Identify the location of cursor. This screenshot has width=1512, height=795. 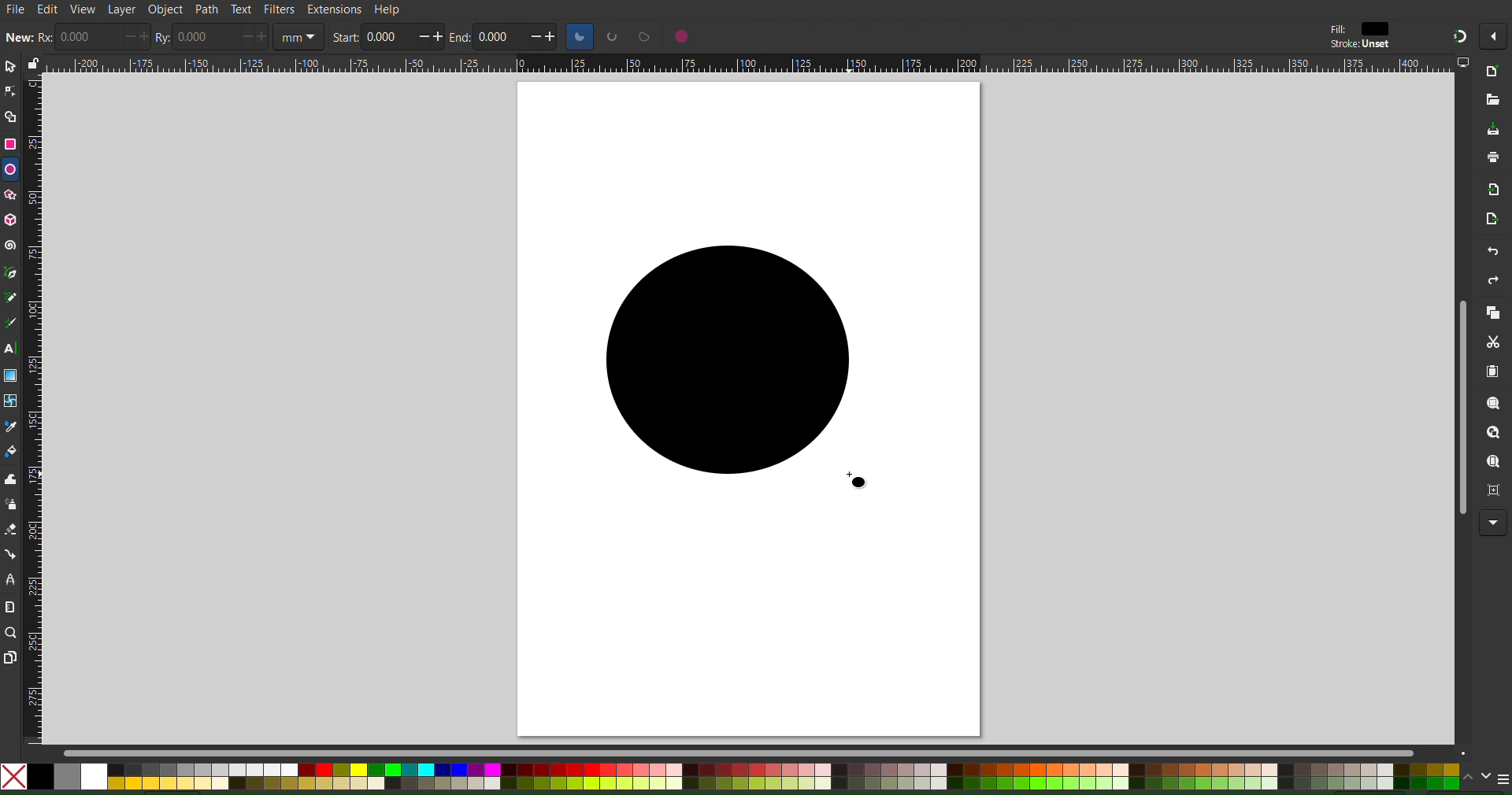
(871, 485).